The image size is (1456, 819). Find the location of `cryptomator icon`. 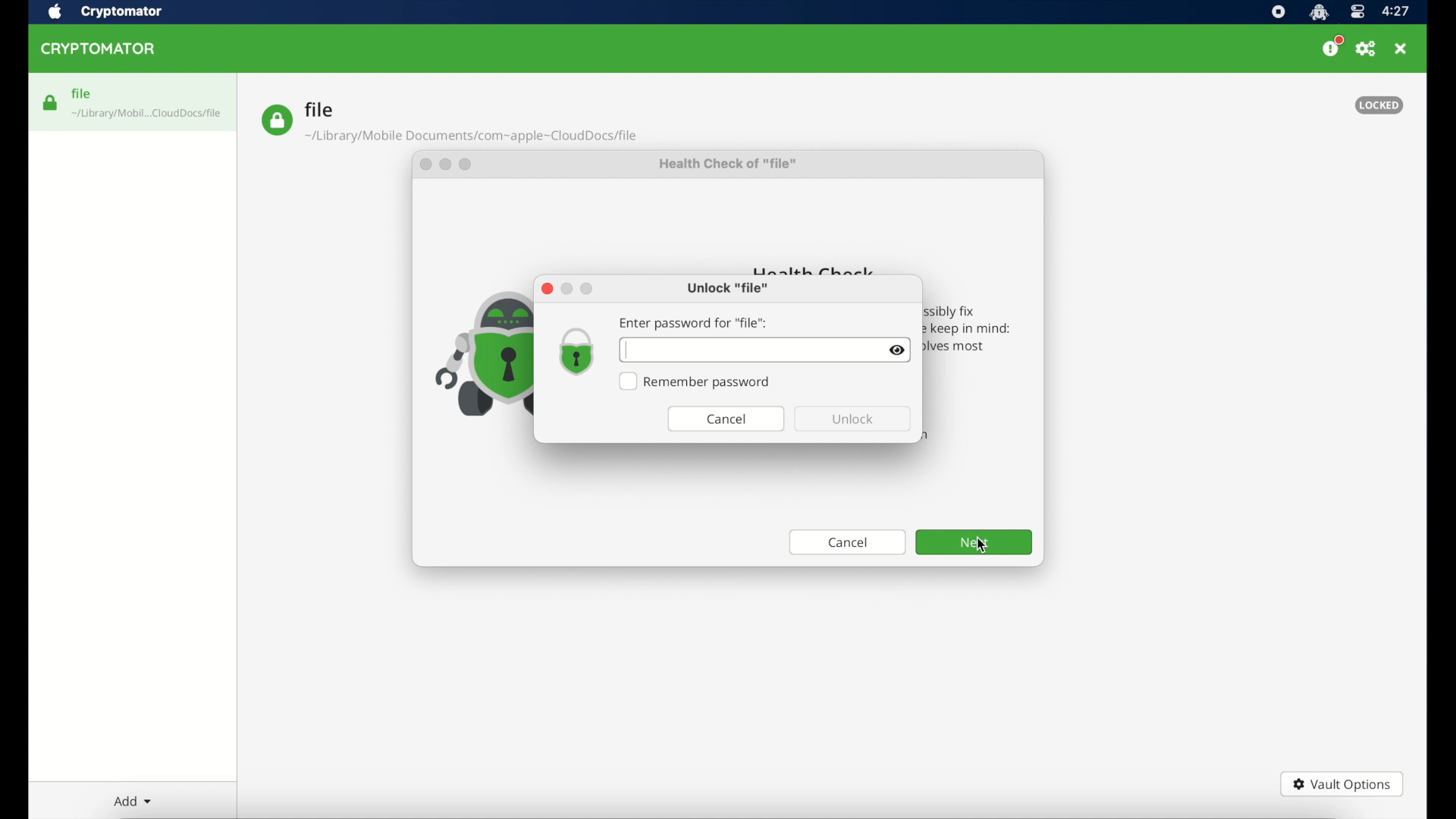

cryptomator icon is located at coordinates (1319, 12).